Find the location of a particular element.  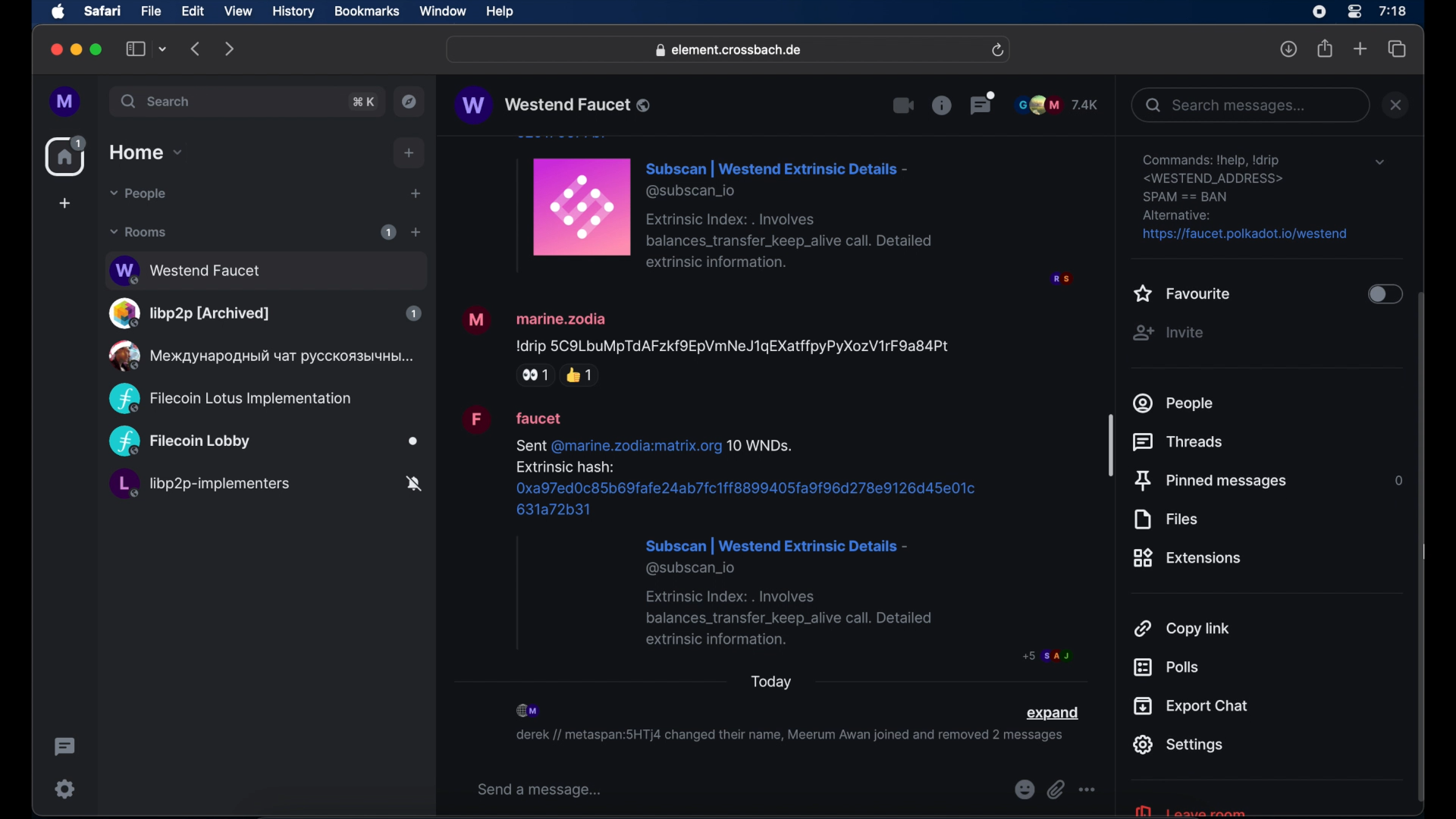

rooms dropdown is located at coordinates (139, 232).